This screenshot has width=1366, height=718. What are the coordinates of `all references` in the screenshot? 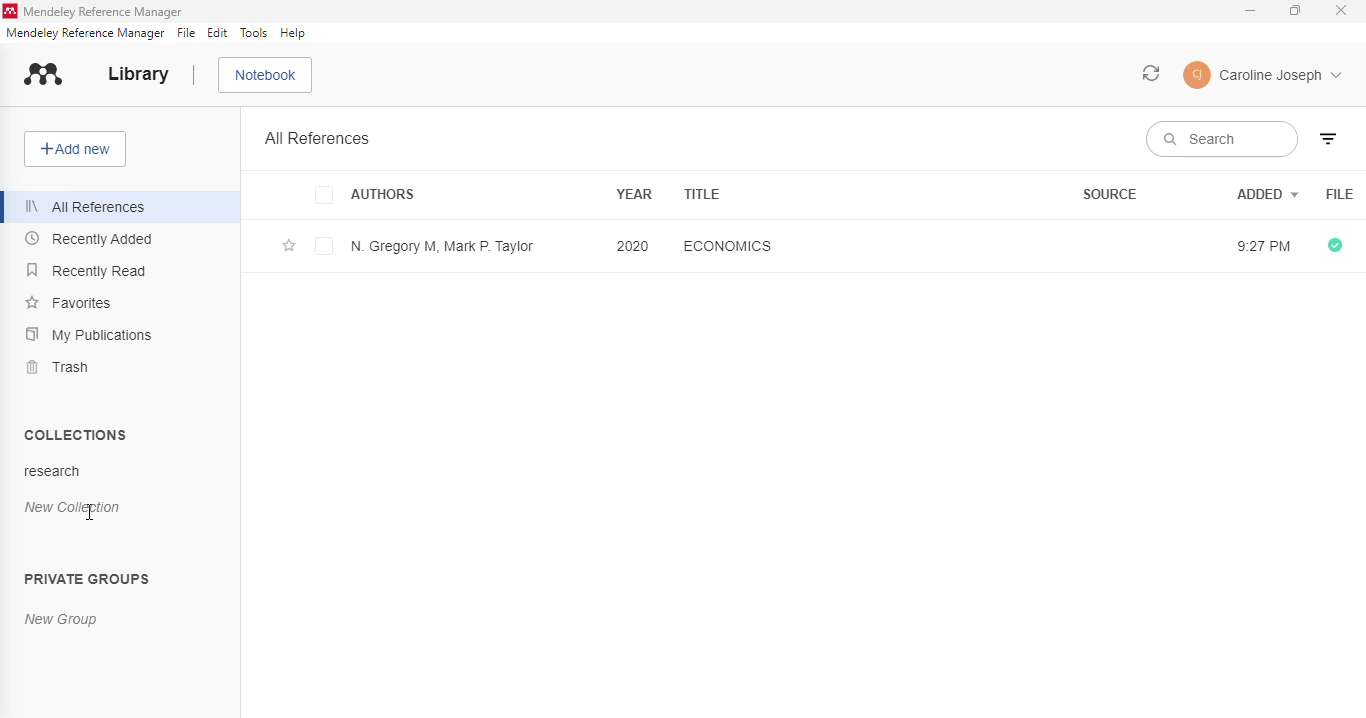 It's located at (89, 207).